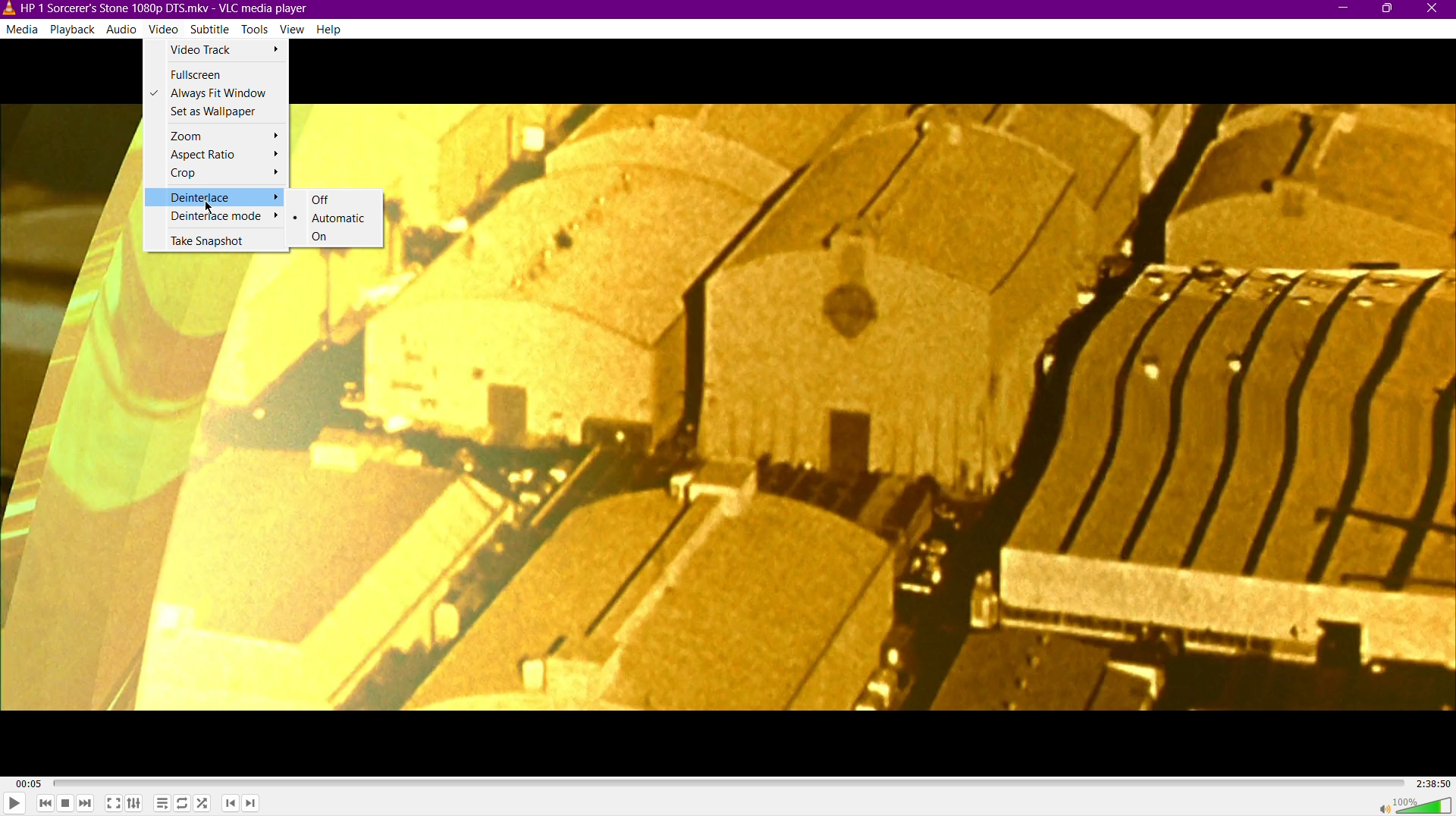 The width and height of the screenshot is (1456, 816). Describe the element at coordinates (215, 241) in the screenshot. I see `Take Snapshot` at that location.